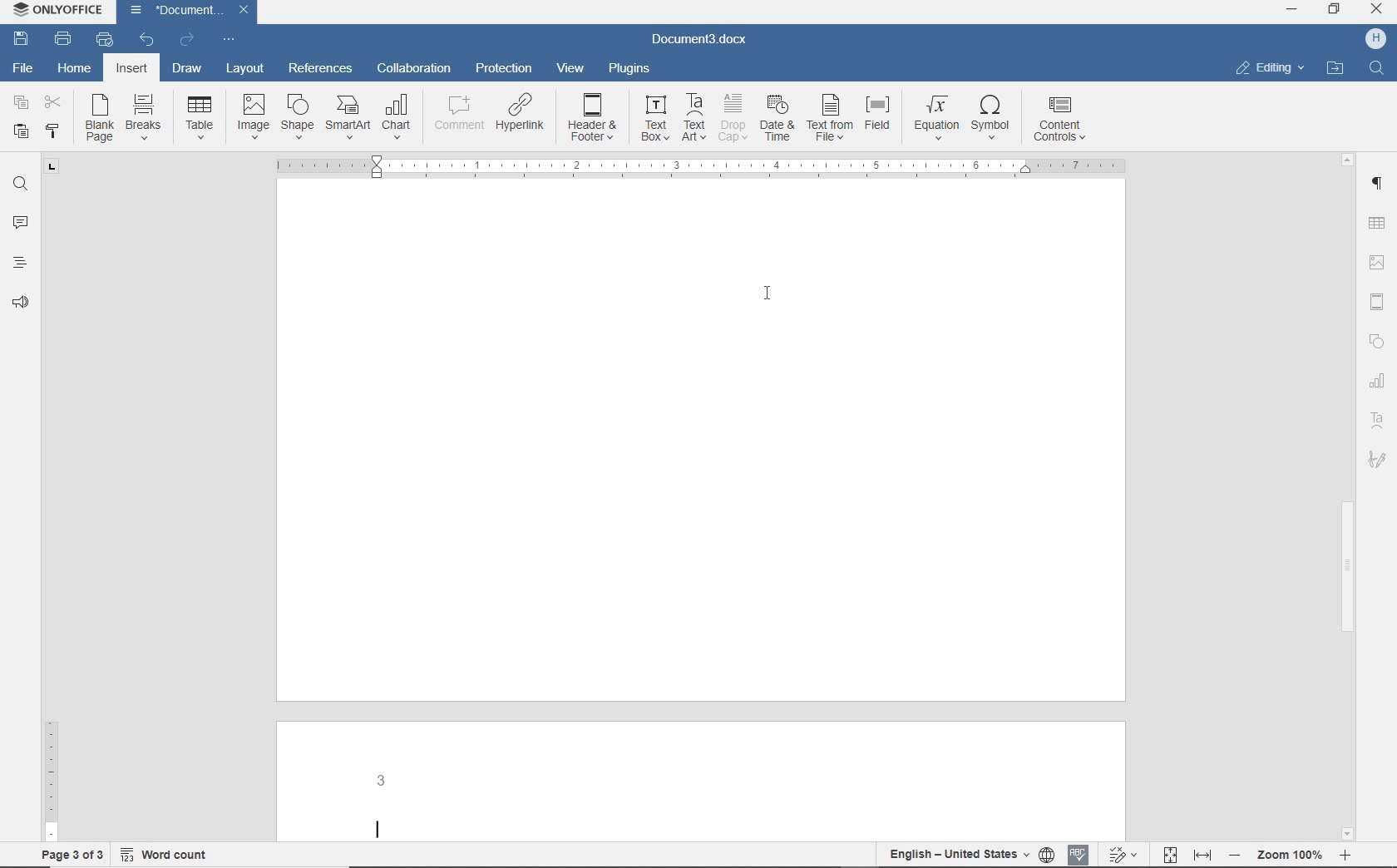  What do you see at coordinates (734, 118) in the screenshot?
I see `DROP CAP` at bounding box center [734, 118].